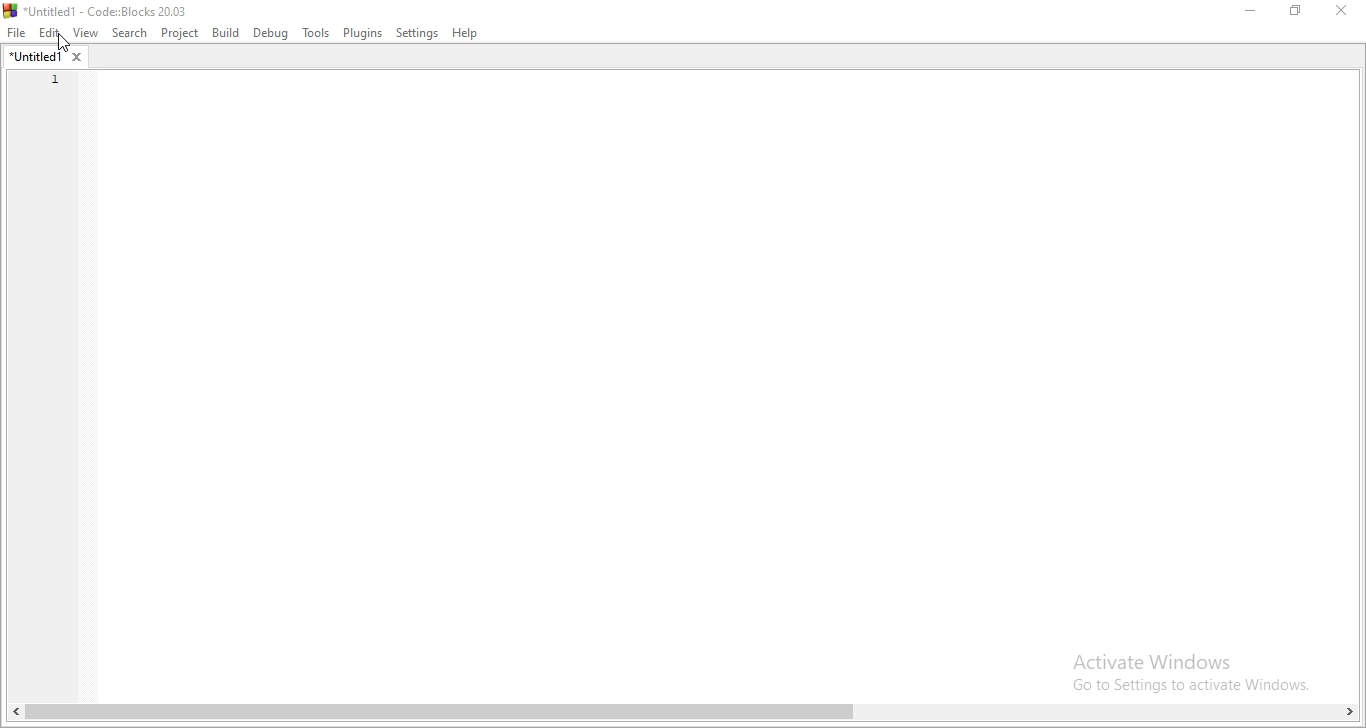 The height and width of the screenshot is (728, 1366). Describe the element at coordinates (317, 32) in the screenshot. I see `tools` at that location.